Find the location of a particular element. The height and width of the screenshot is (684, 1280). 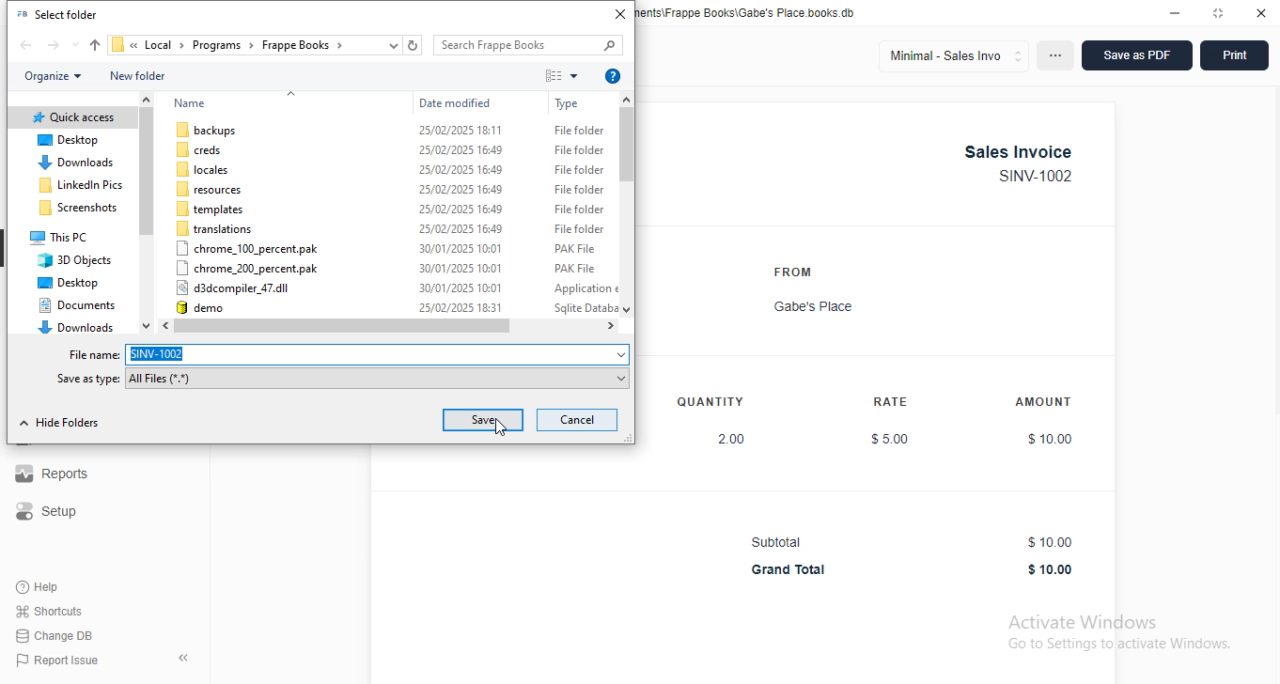

$10.00 is located at coordinates (1051, 570).